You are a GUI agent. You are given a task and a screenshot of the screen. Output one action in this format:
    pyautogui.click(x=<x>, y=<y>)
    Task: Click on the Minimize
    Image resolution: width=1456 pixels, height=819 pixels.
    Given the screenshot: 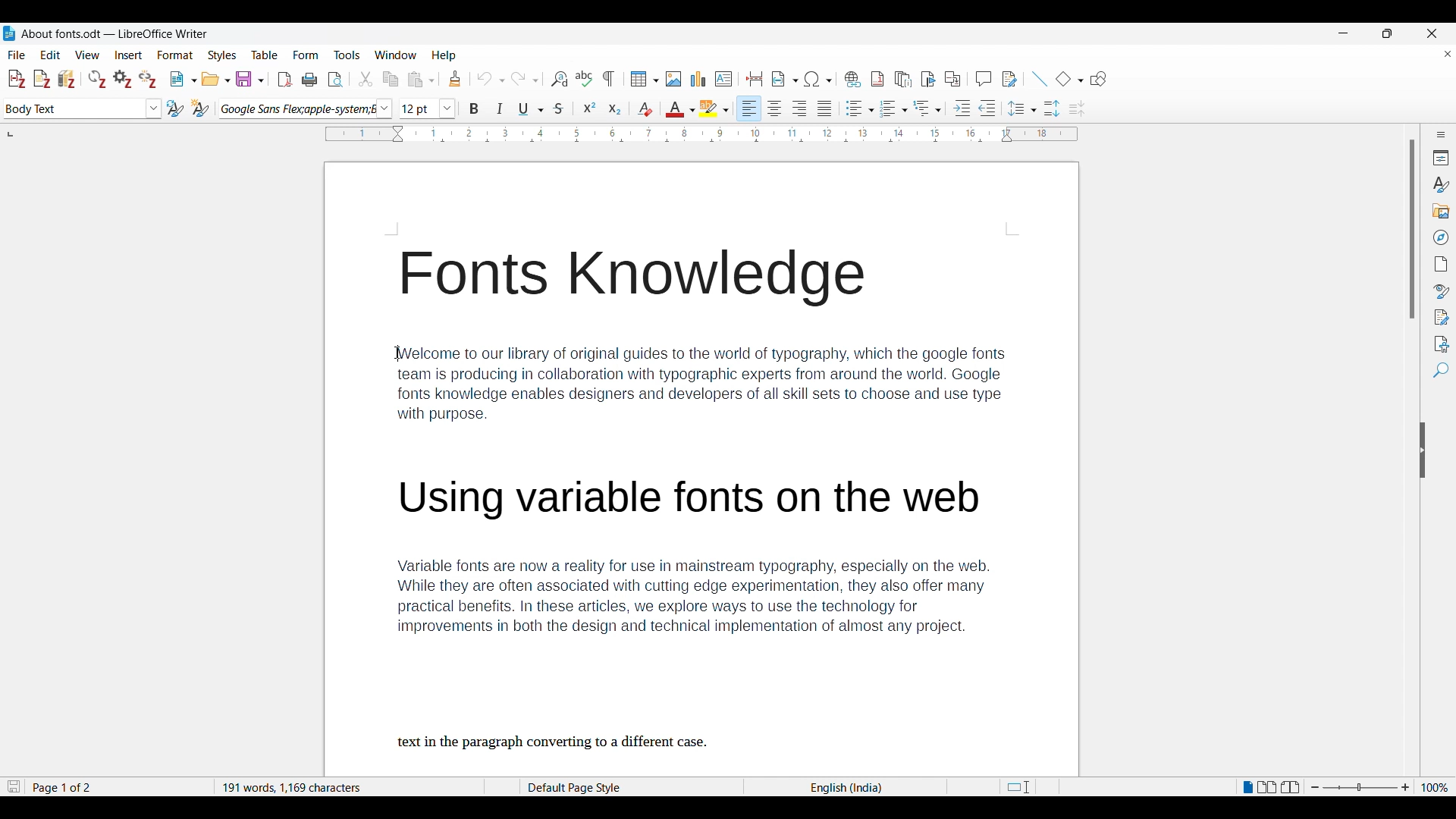 What is the action you would take?
    pyautogui.click(x=1343, y=33)
    